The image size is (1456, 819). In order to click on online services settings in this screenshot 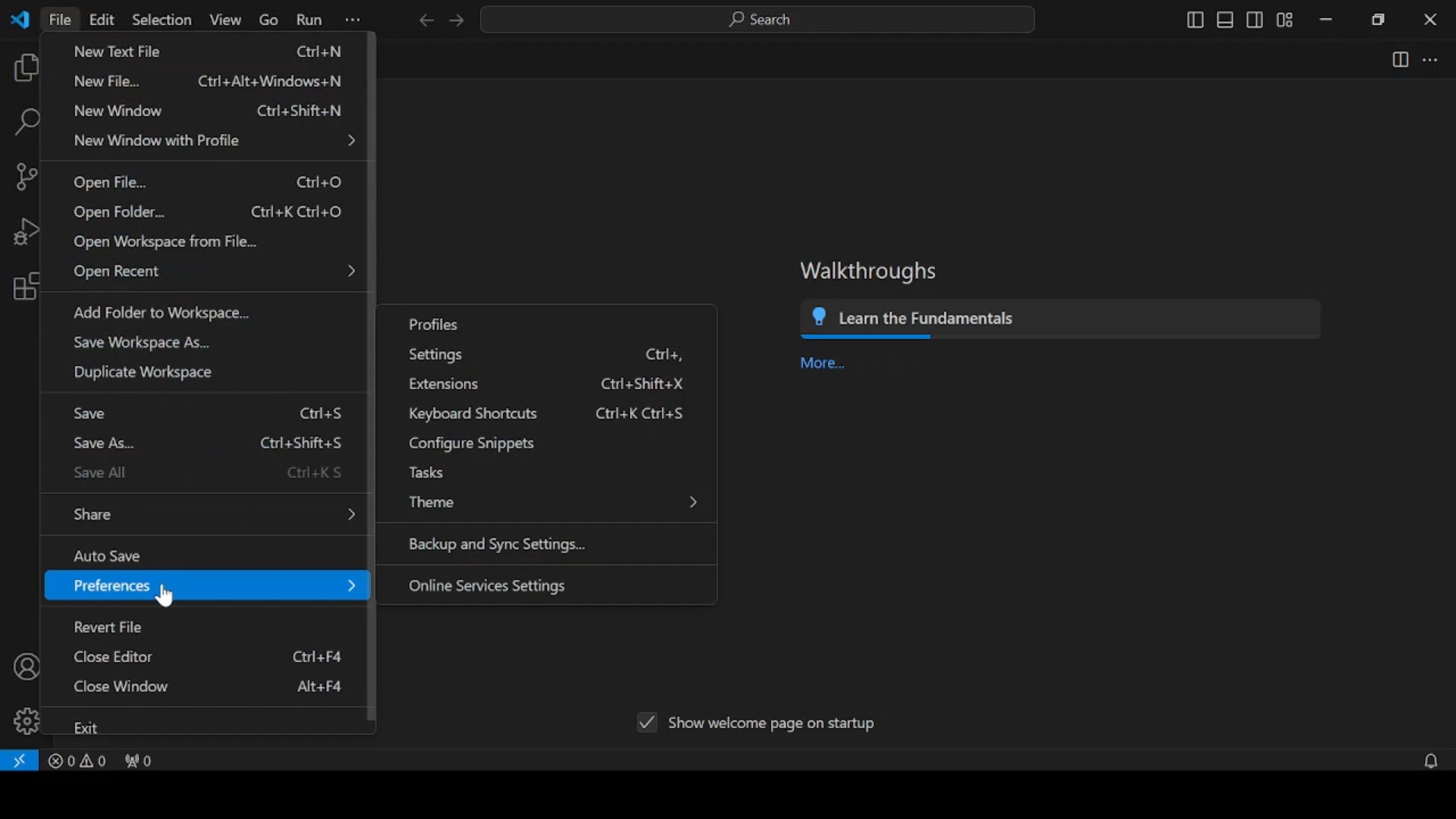, I will do `click(493, 588)`.